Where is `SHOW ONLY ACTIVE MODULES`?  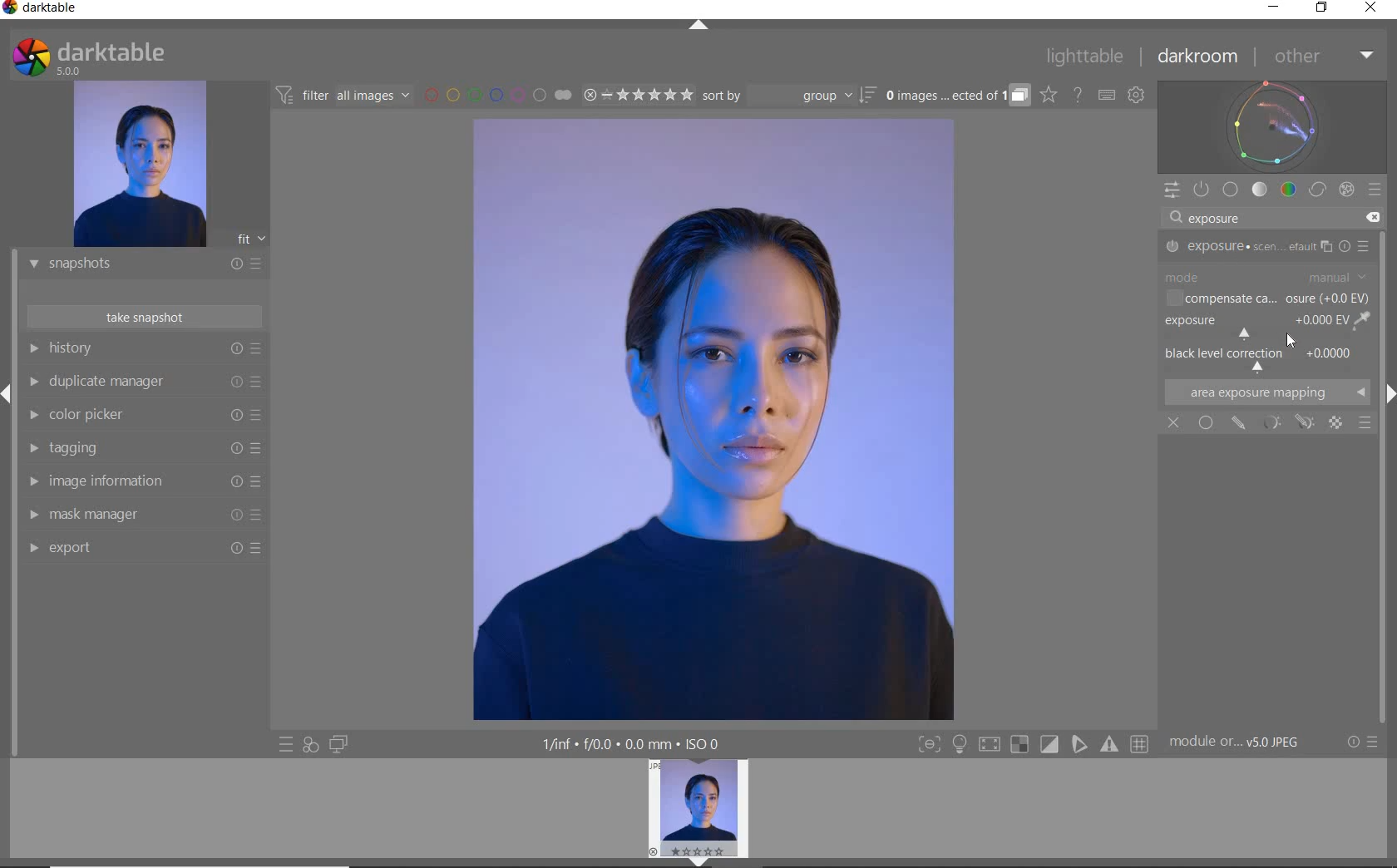
SHOW ONLY ACTIVE MODULES is located at coordinates (1202, 190).